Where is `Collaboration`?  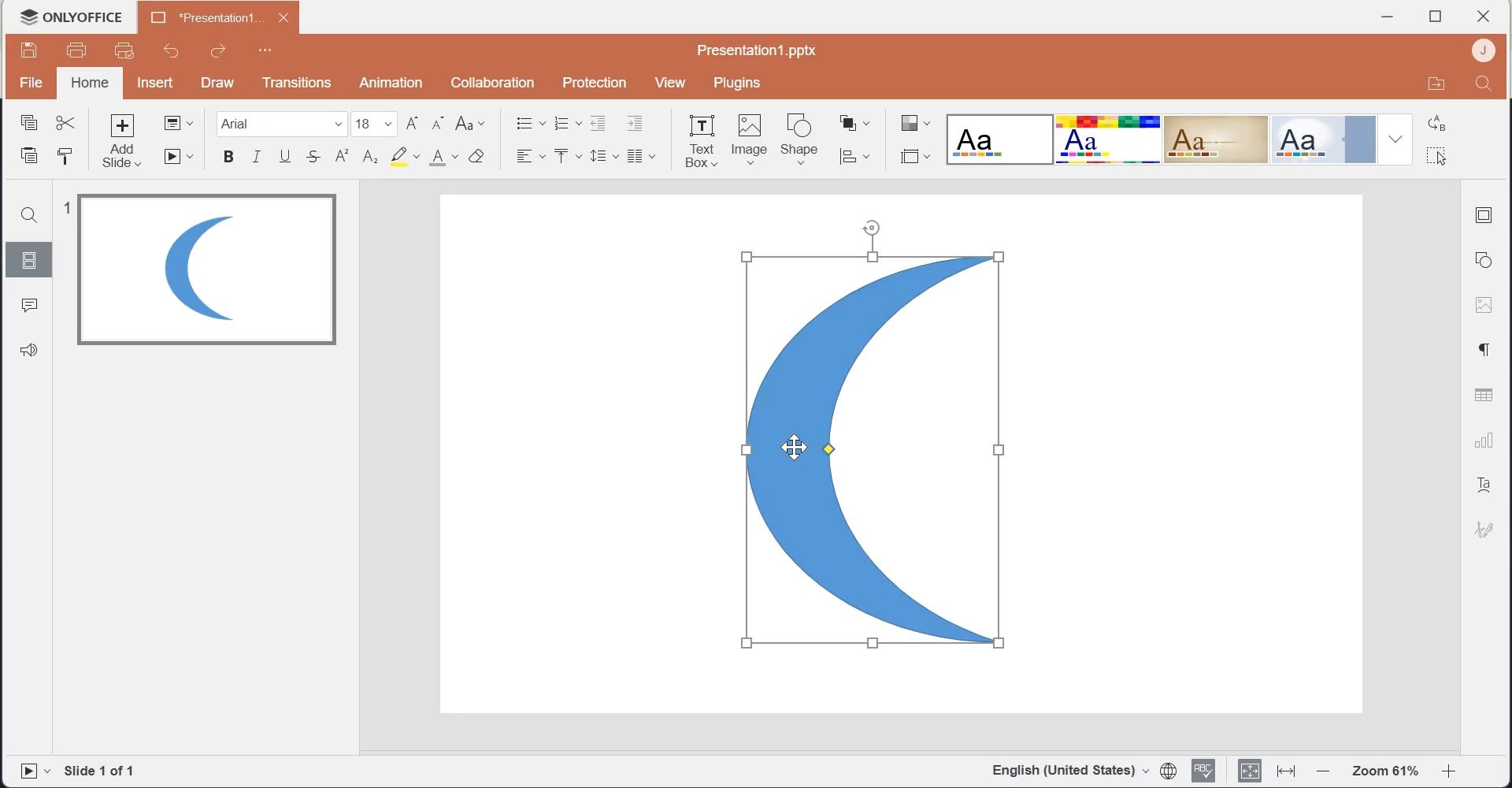 Collaboration is located at coordinates (493, 82).